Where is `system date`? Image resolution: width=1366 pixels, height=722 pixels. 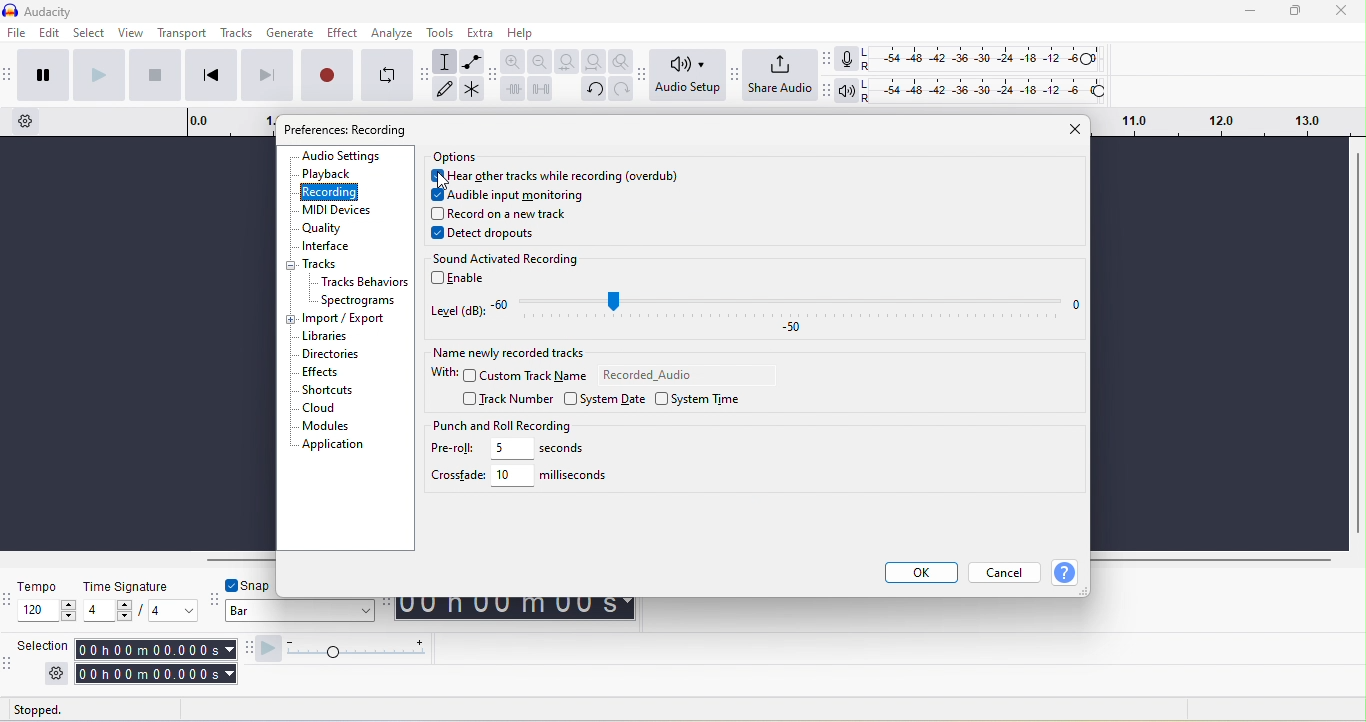 system date is located at coordinates (602, 399).